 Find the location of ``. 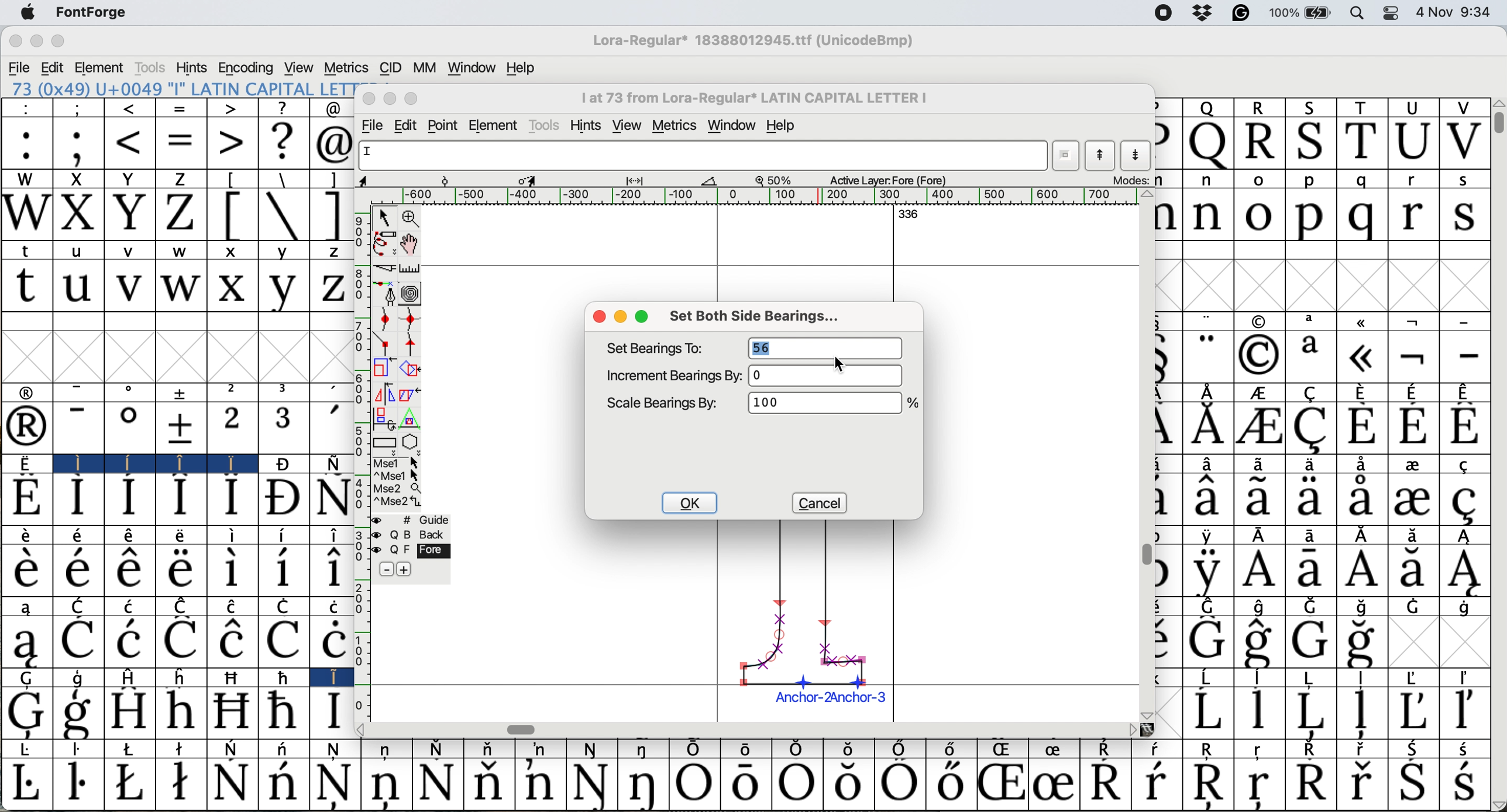

 is located at coordinates (380, 519).